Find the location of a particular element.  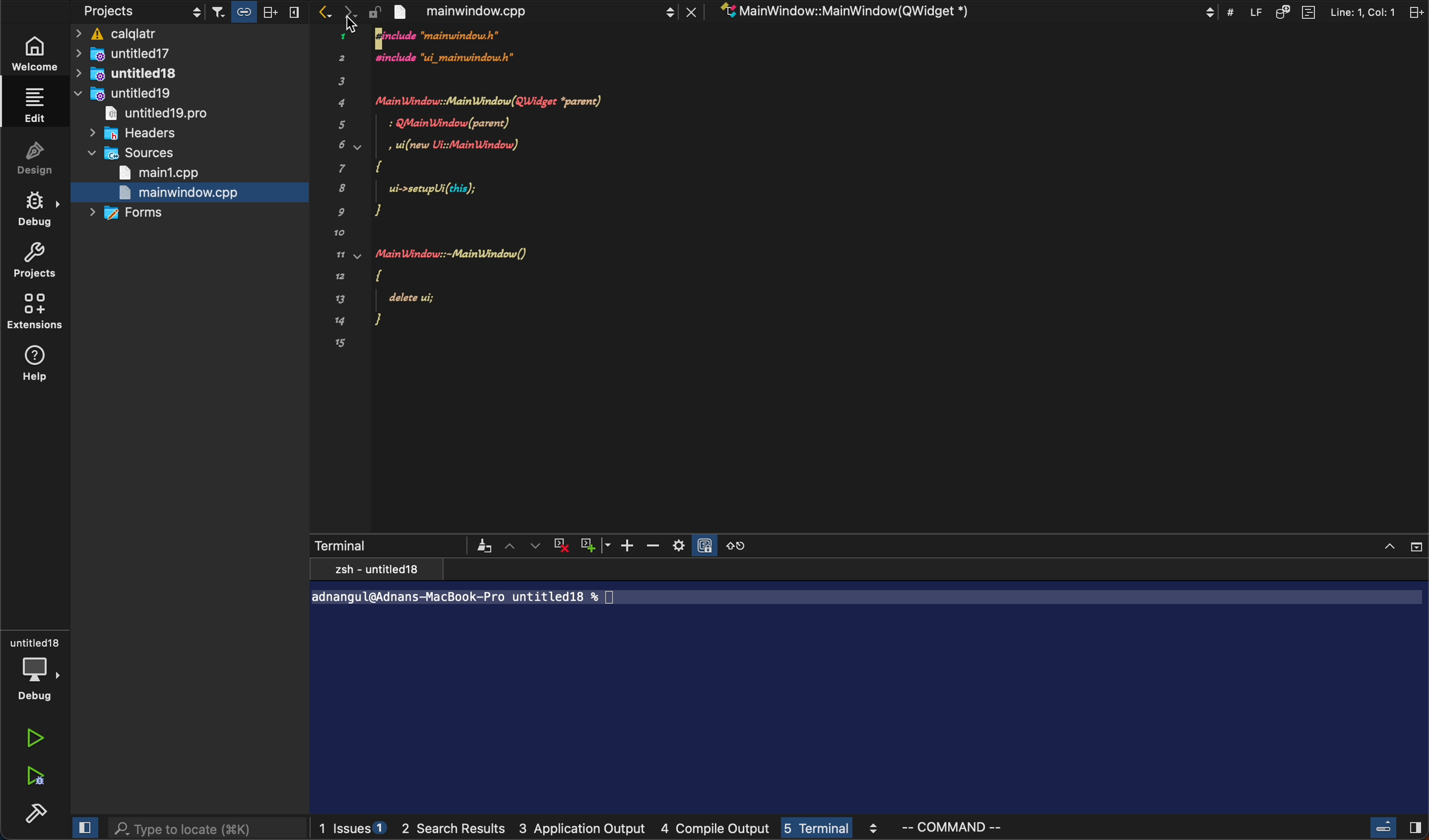

main window is located at coordinates (534, 10).